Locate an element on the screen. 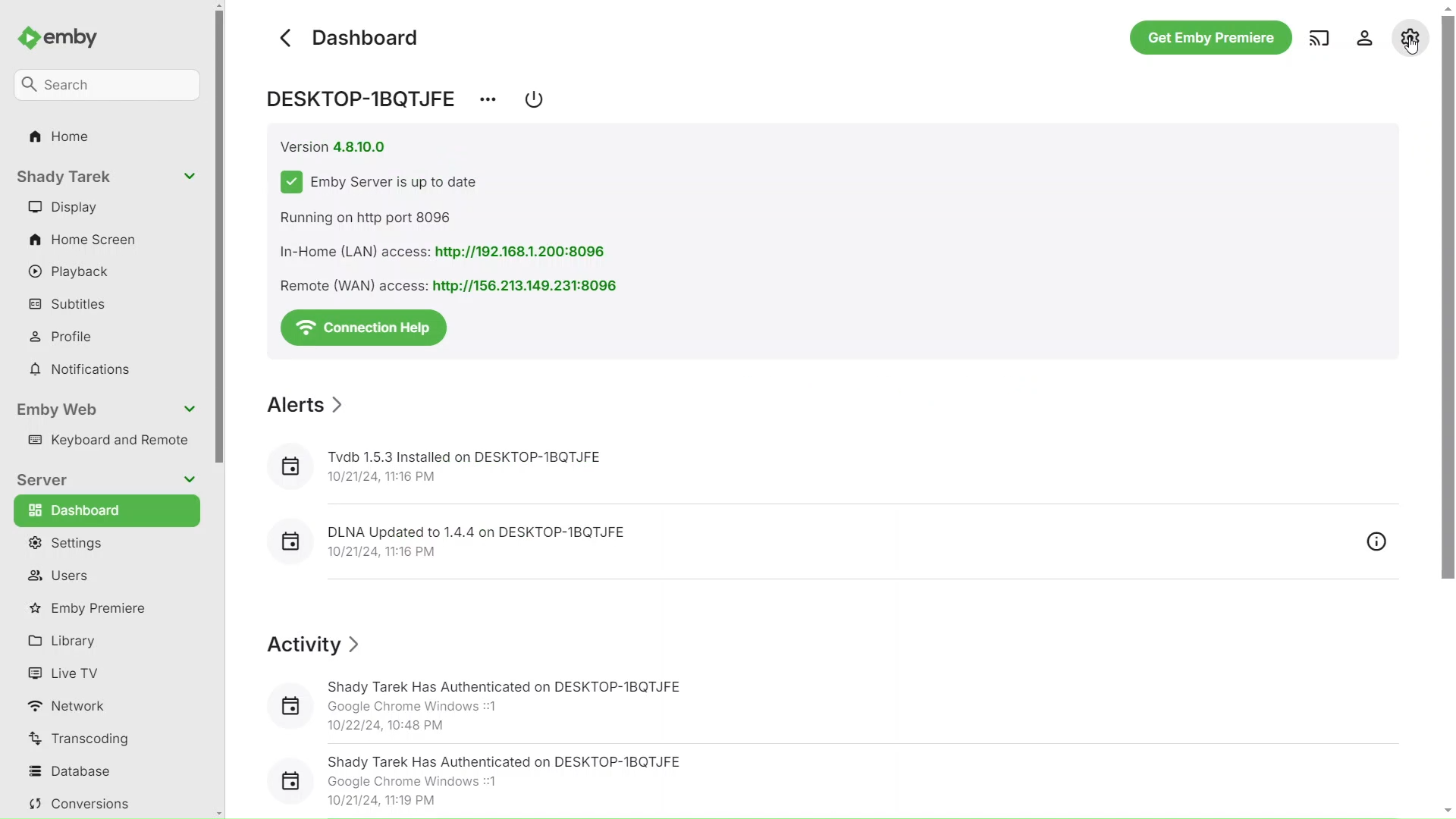 This screenshot has height=819, width=1456. Profile is located at coordinates (67, 334).